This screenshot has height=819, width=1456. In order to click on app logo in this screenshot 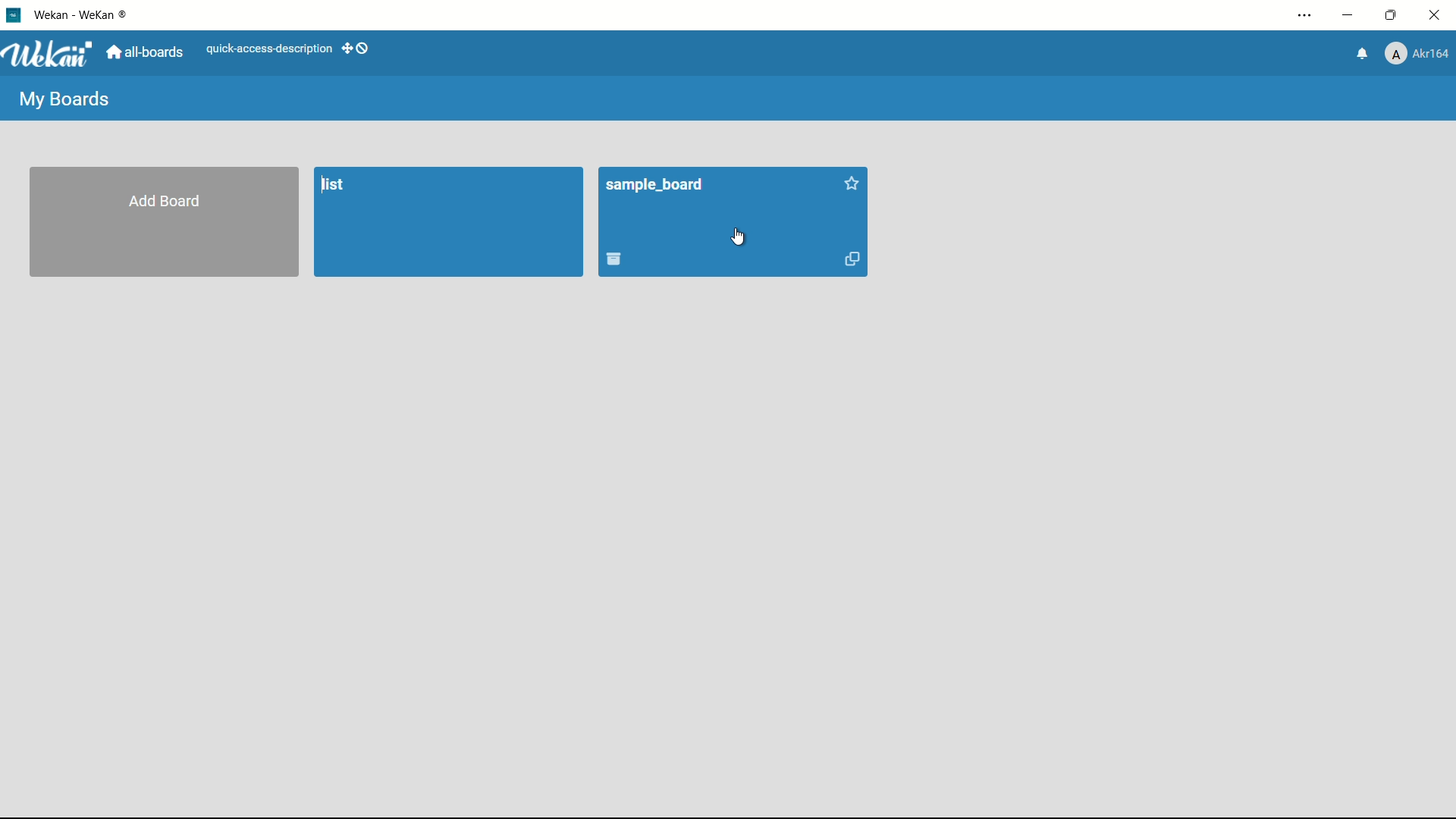, I will do `click(52, 55)`.